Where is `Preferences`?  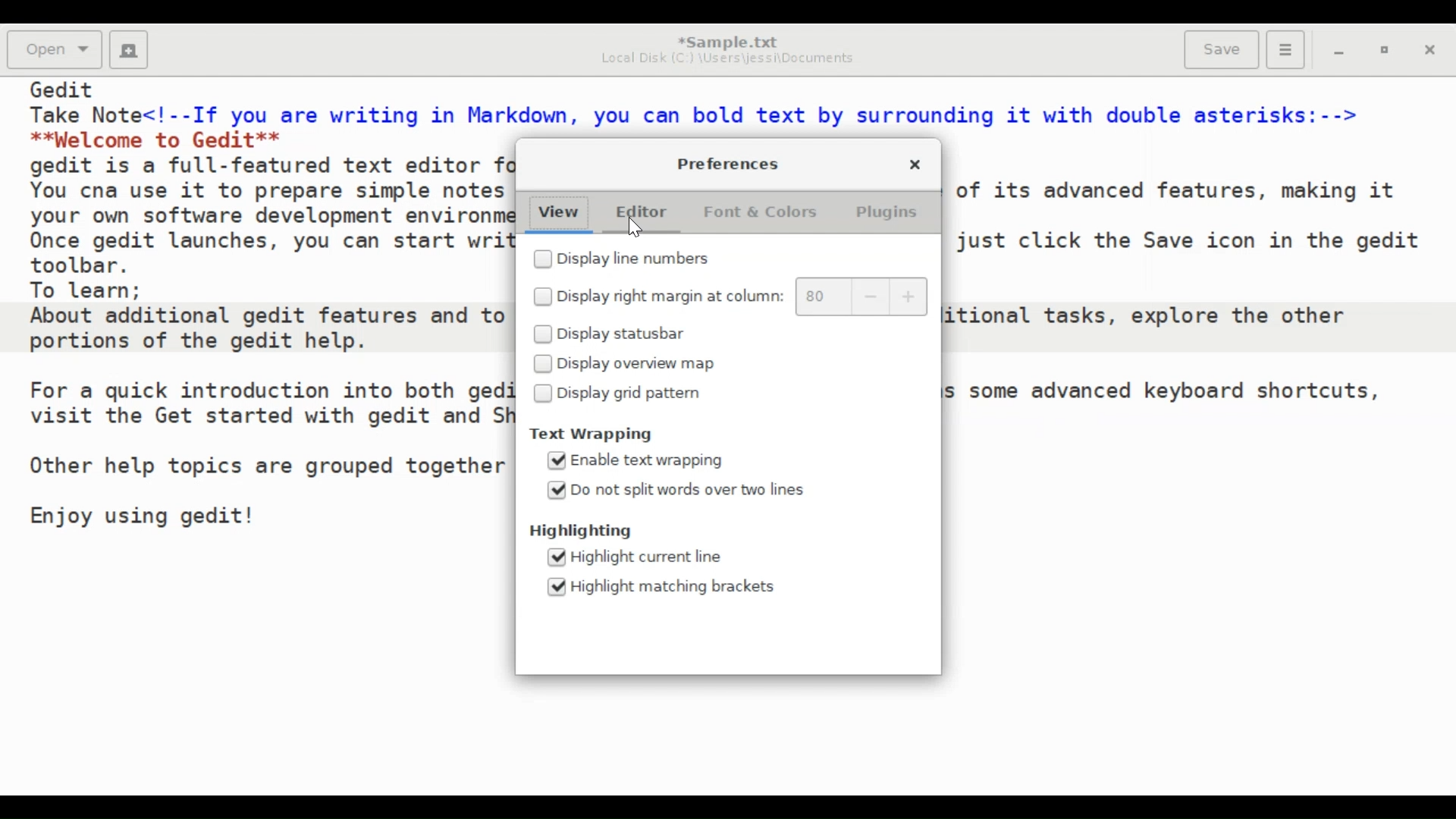 Preferences is located at coordinates (729, 163).